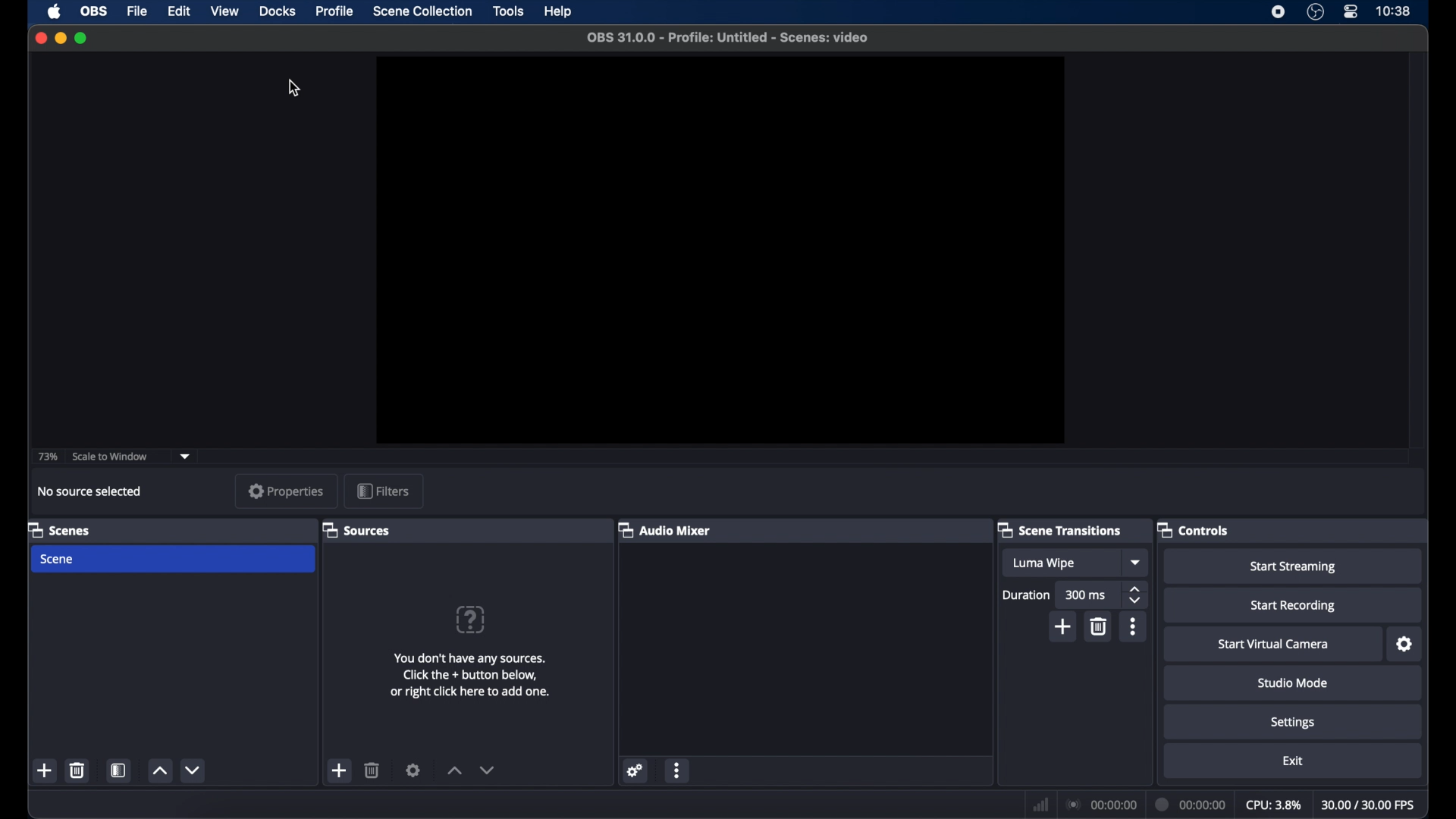 This screenshot has height=819, width=1456. What do you see at coordinates (488, 770) in the screenshot?
I see `decrement` at bounding box center [488, 770].